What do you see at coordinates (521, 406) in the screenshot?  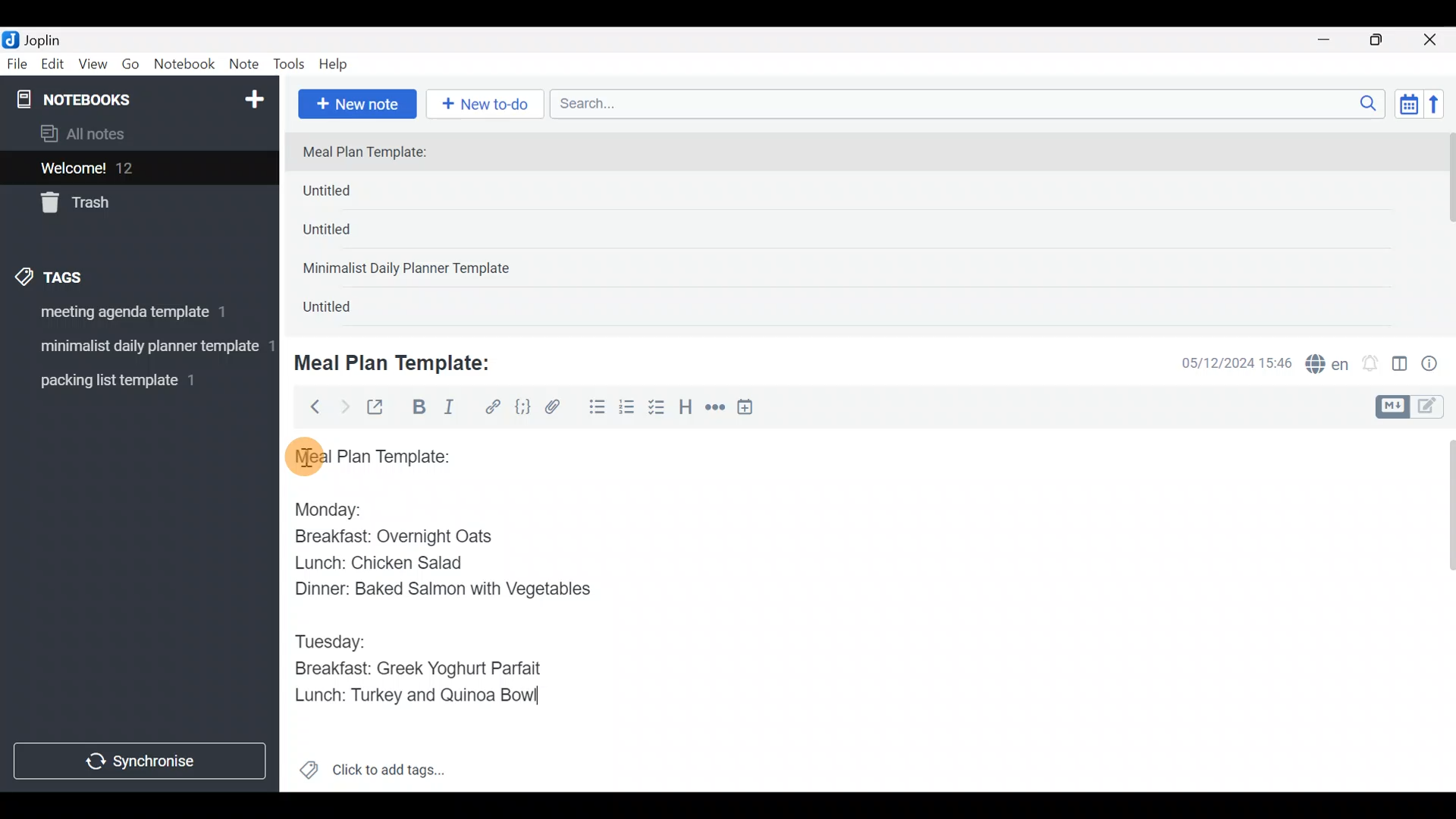 I see `Code` at bounding box center [521, 406].